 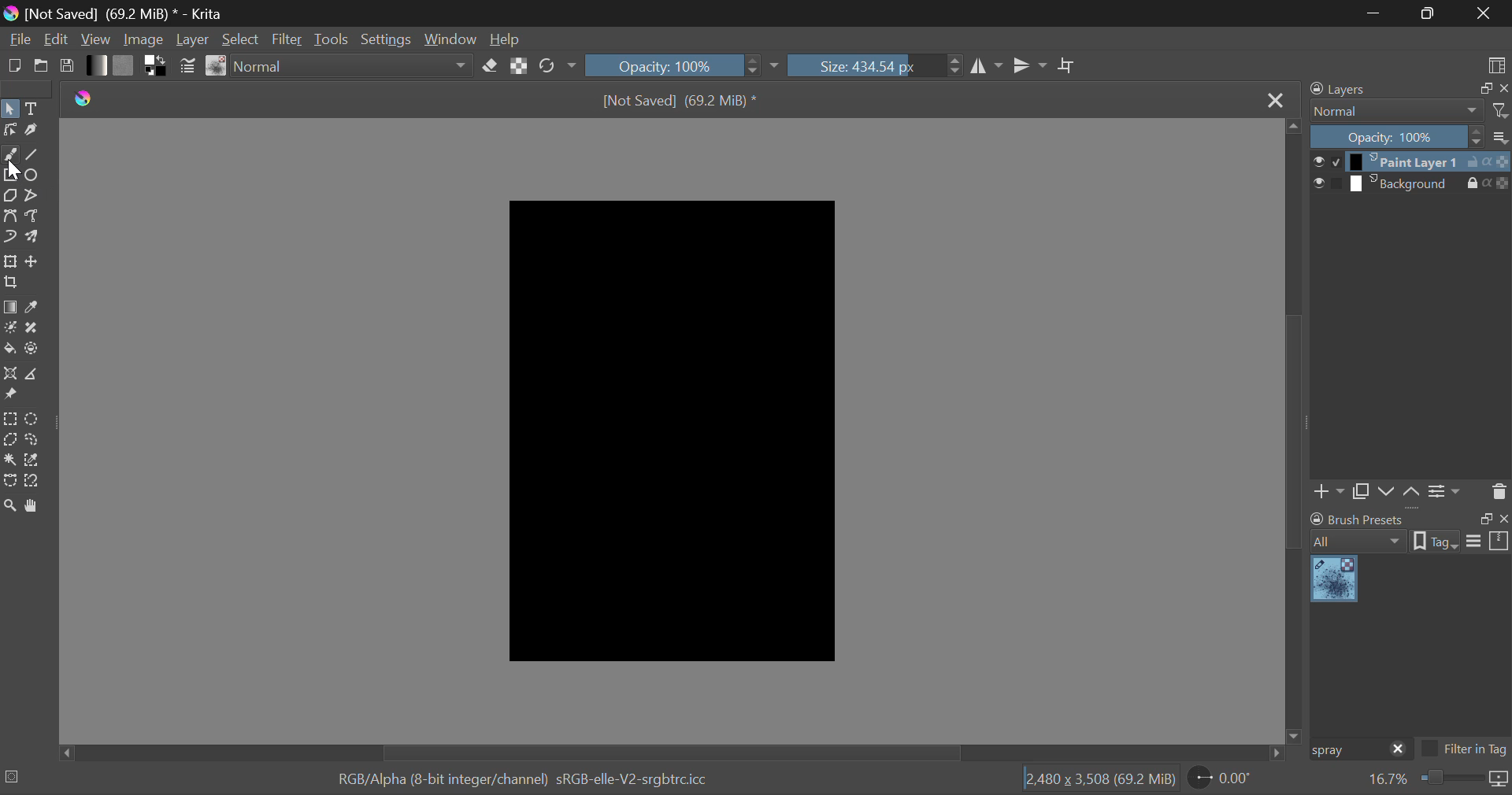 What do you see at coordinates (11, 197) in the screenshot?
I see `Polygon` at bounding box center [11, 197].